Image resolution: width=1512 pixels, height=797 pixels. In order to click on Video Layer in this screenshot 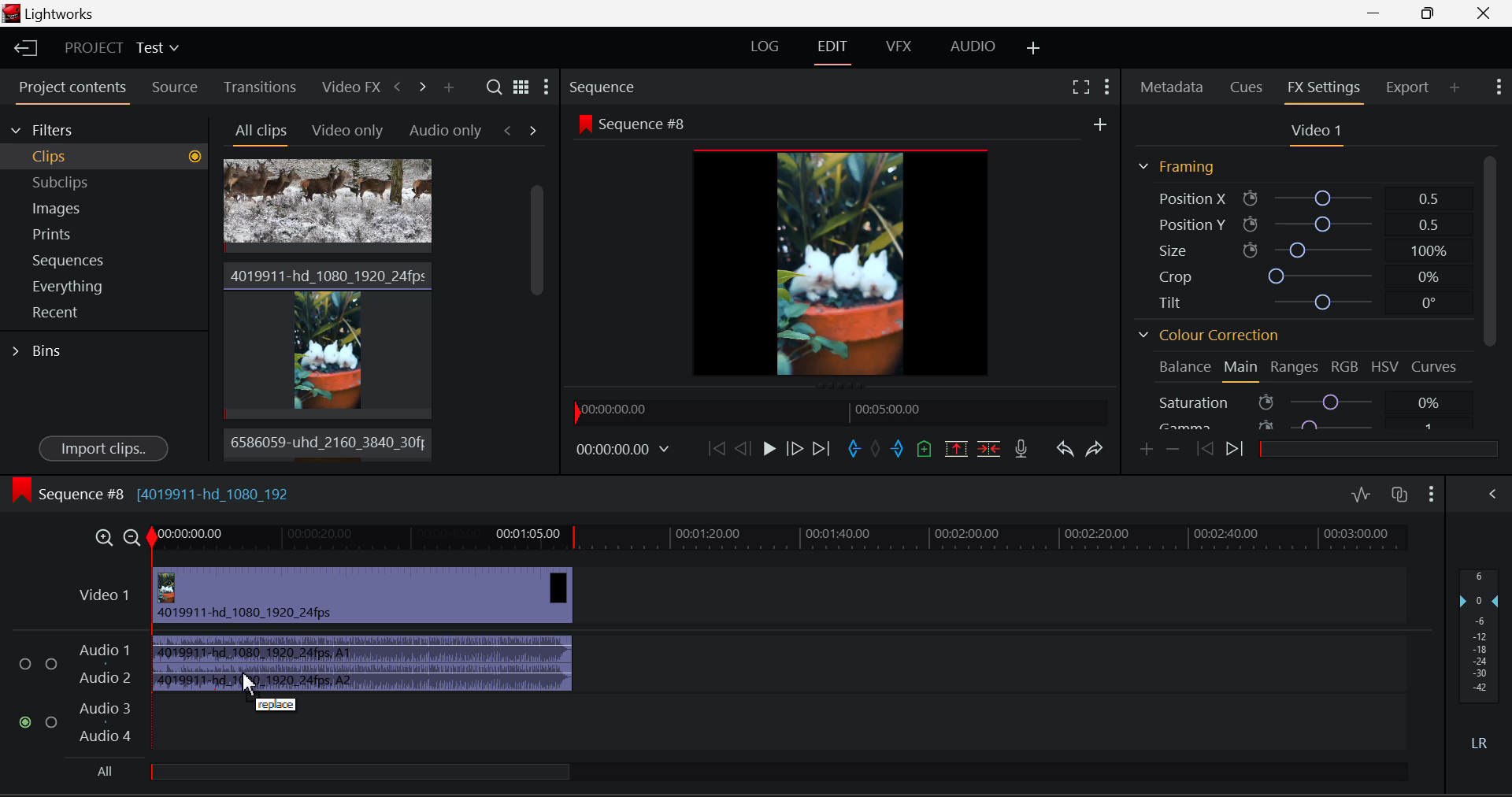, I will do `click(106, 600)`.